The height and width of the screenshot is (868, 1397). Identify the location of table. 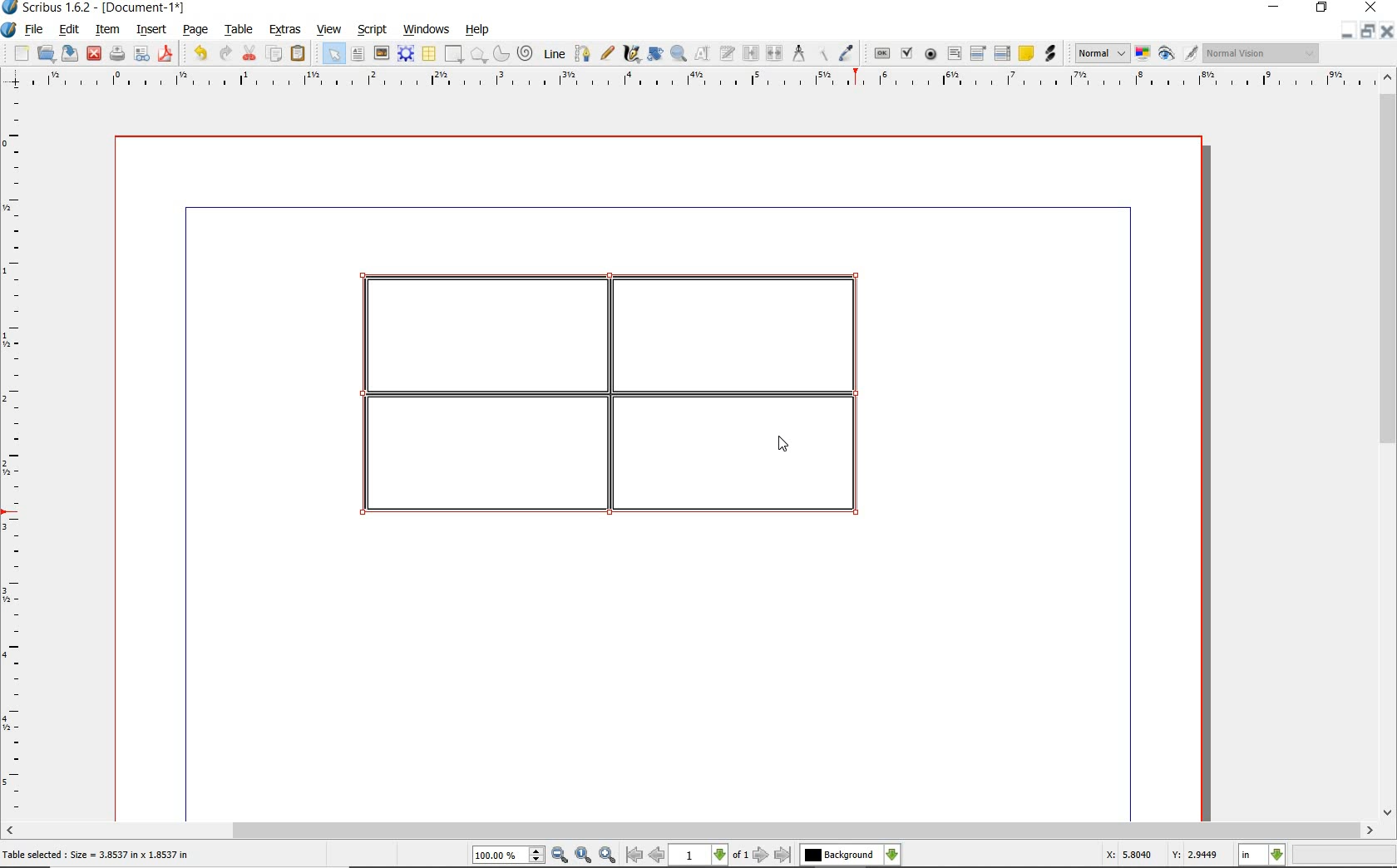
(430, 55).